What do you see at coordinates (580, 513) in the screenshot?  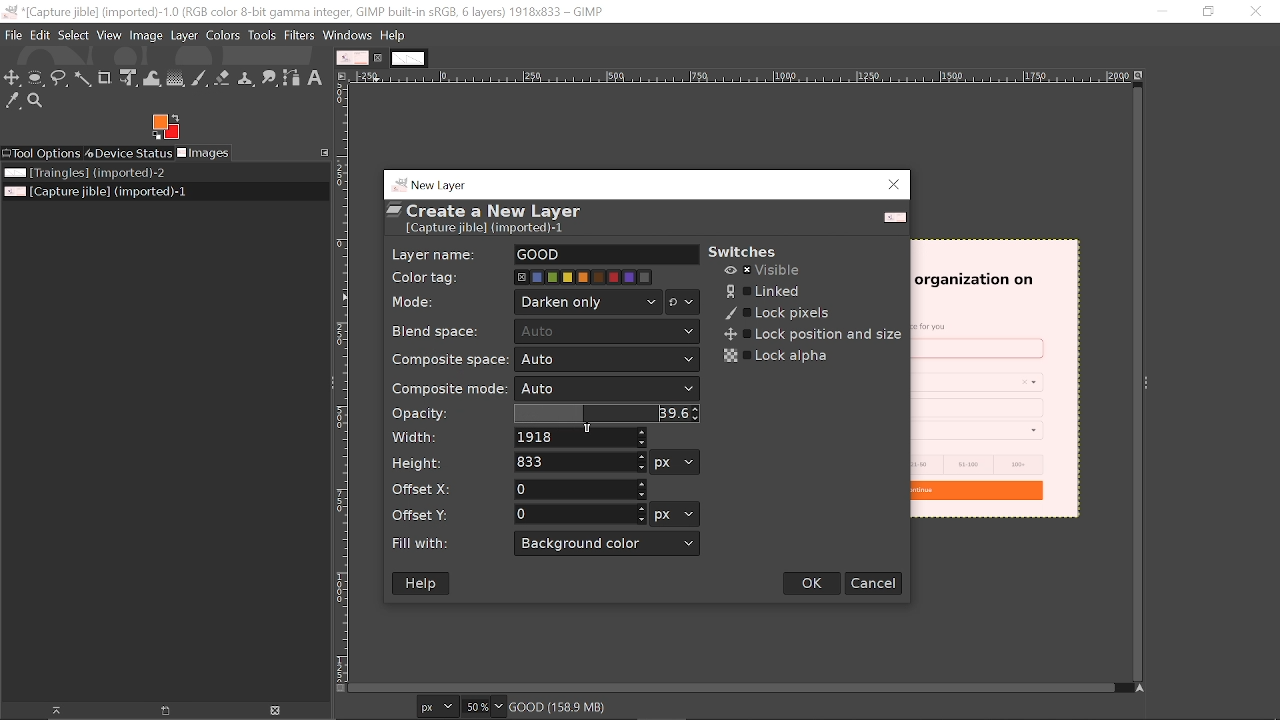 I see `offset Y` at bounding box center [580, 513].